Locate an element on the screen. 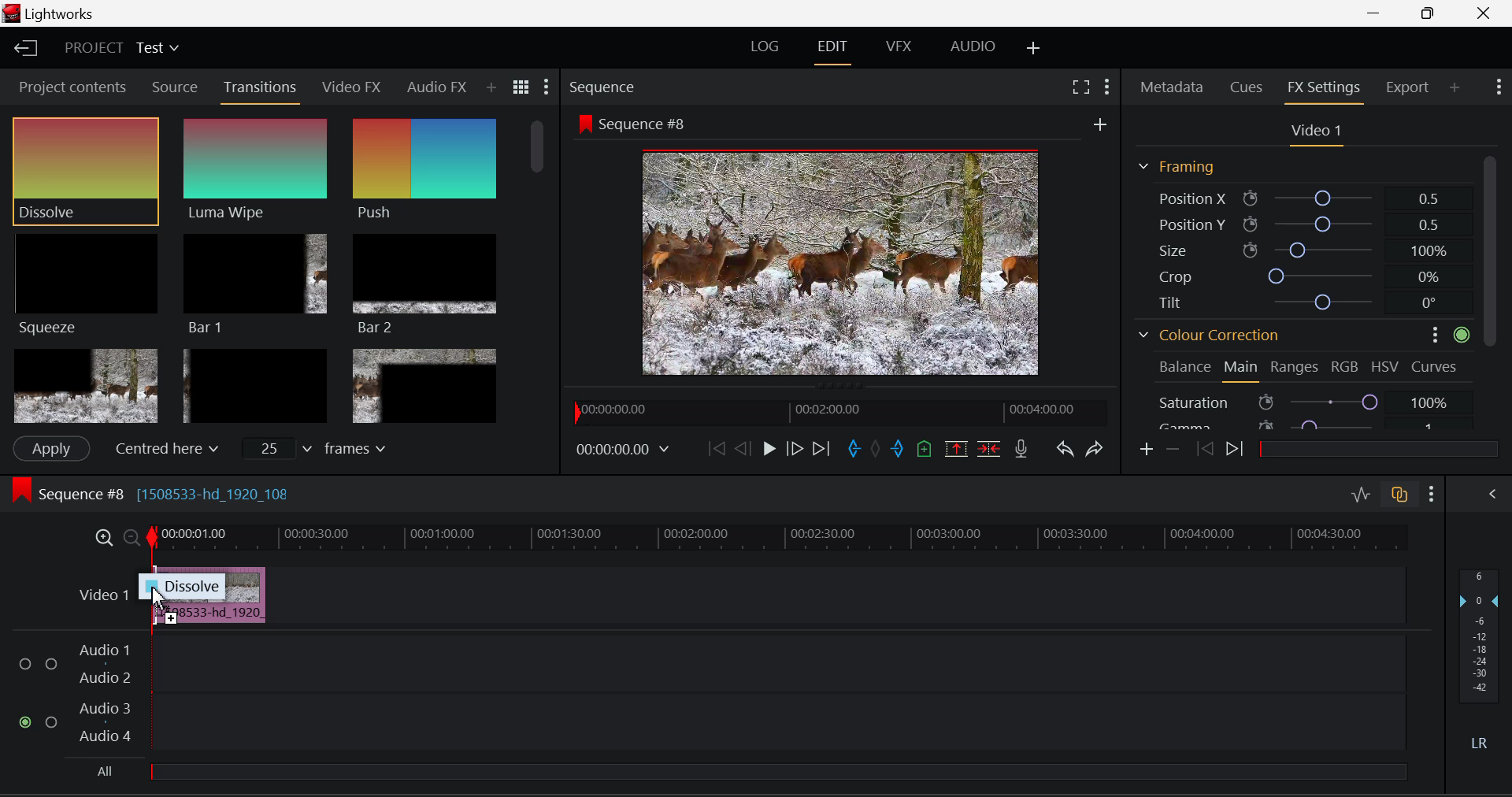 This screenshot has width=1512, height=797. AUDIO Layout is located at coordinates (967, 48).